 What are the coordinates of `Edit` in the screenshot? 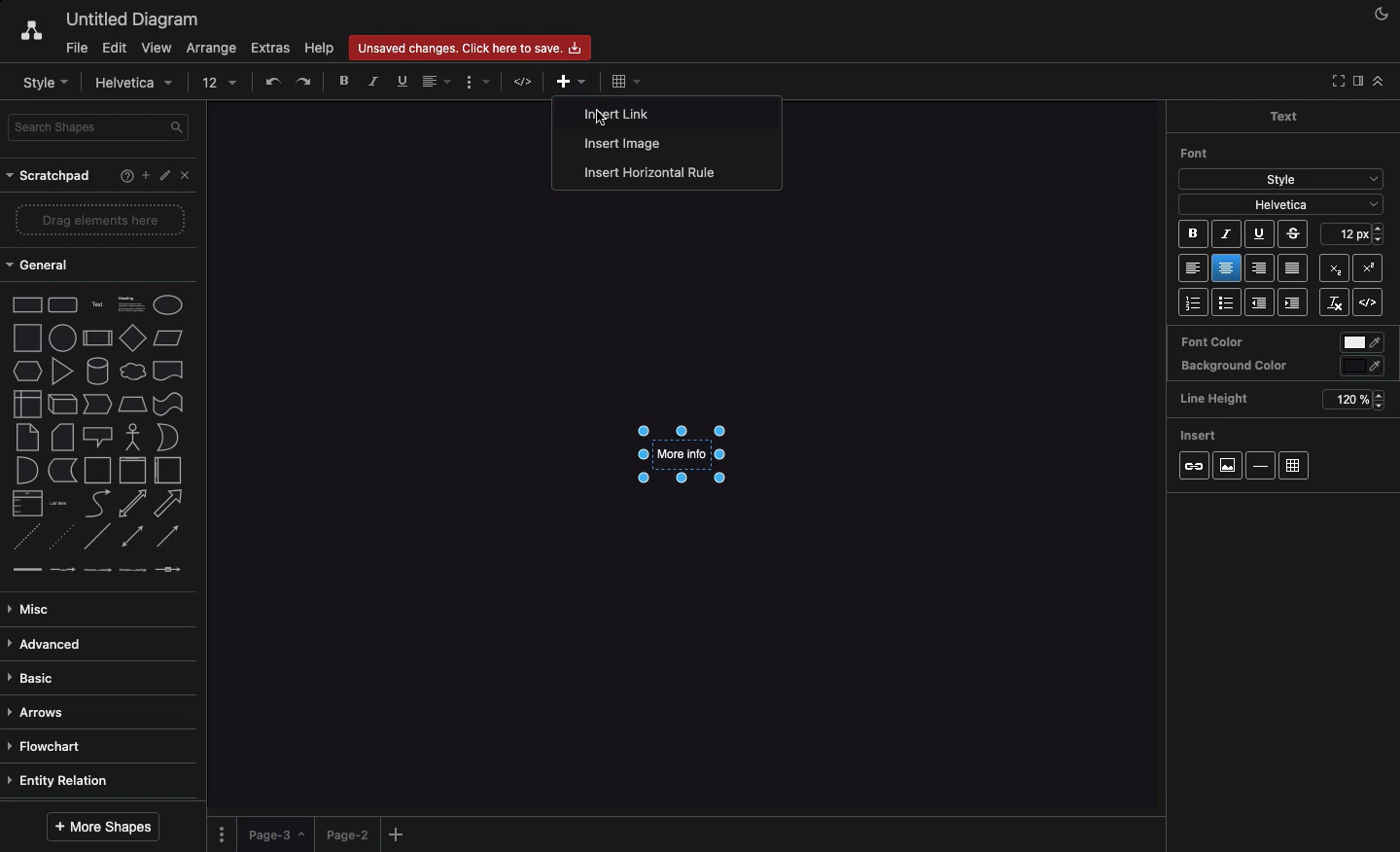 It's located at (114, 49).